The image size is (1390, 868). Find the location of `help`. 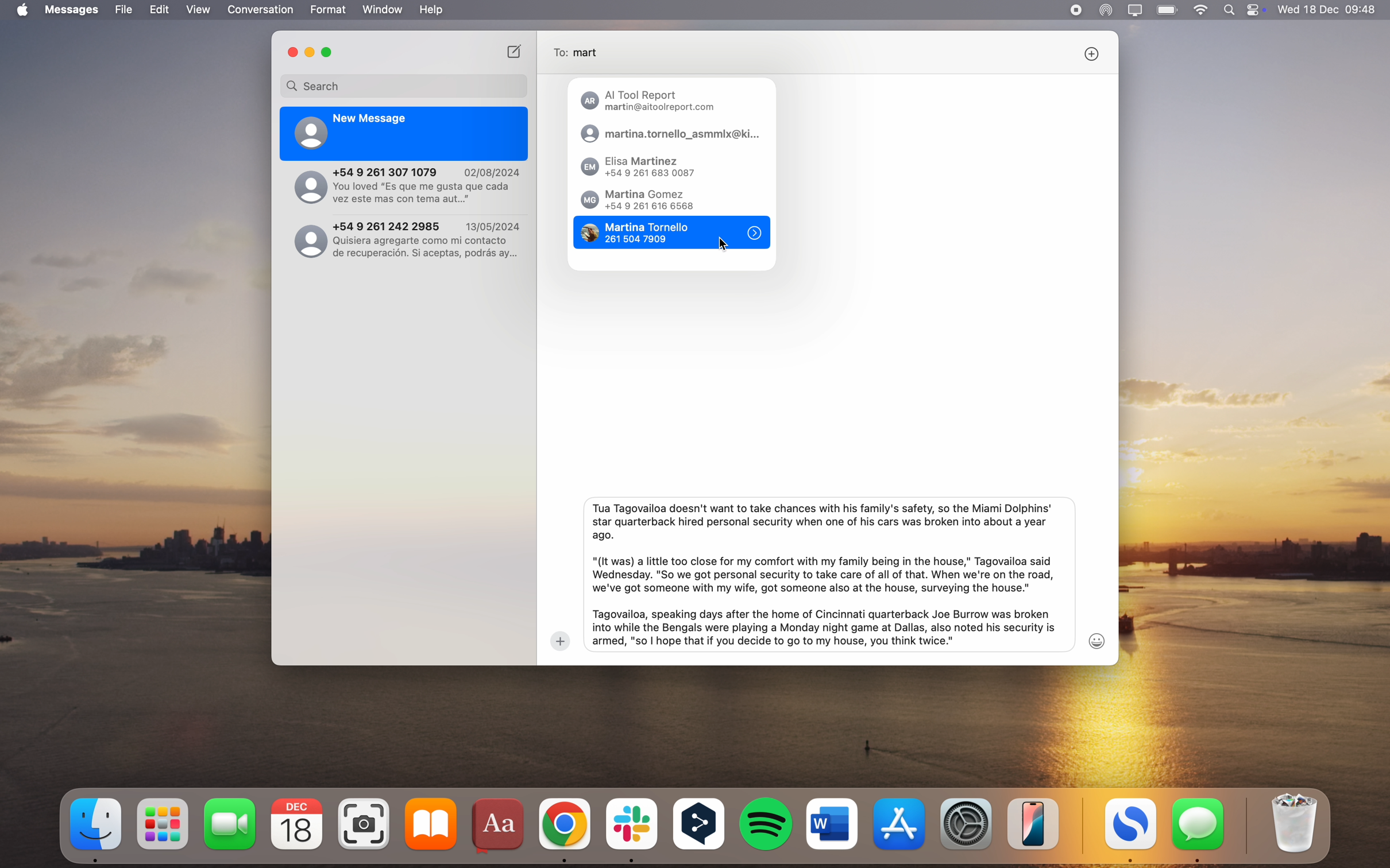

help is located at coordinates (431, 10).